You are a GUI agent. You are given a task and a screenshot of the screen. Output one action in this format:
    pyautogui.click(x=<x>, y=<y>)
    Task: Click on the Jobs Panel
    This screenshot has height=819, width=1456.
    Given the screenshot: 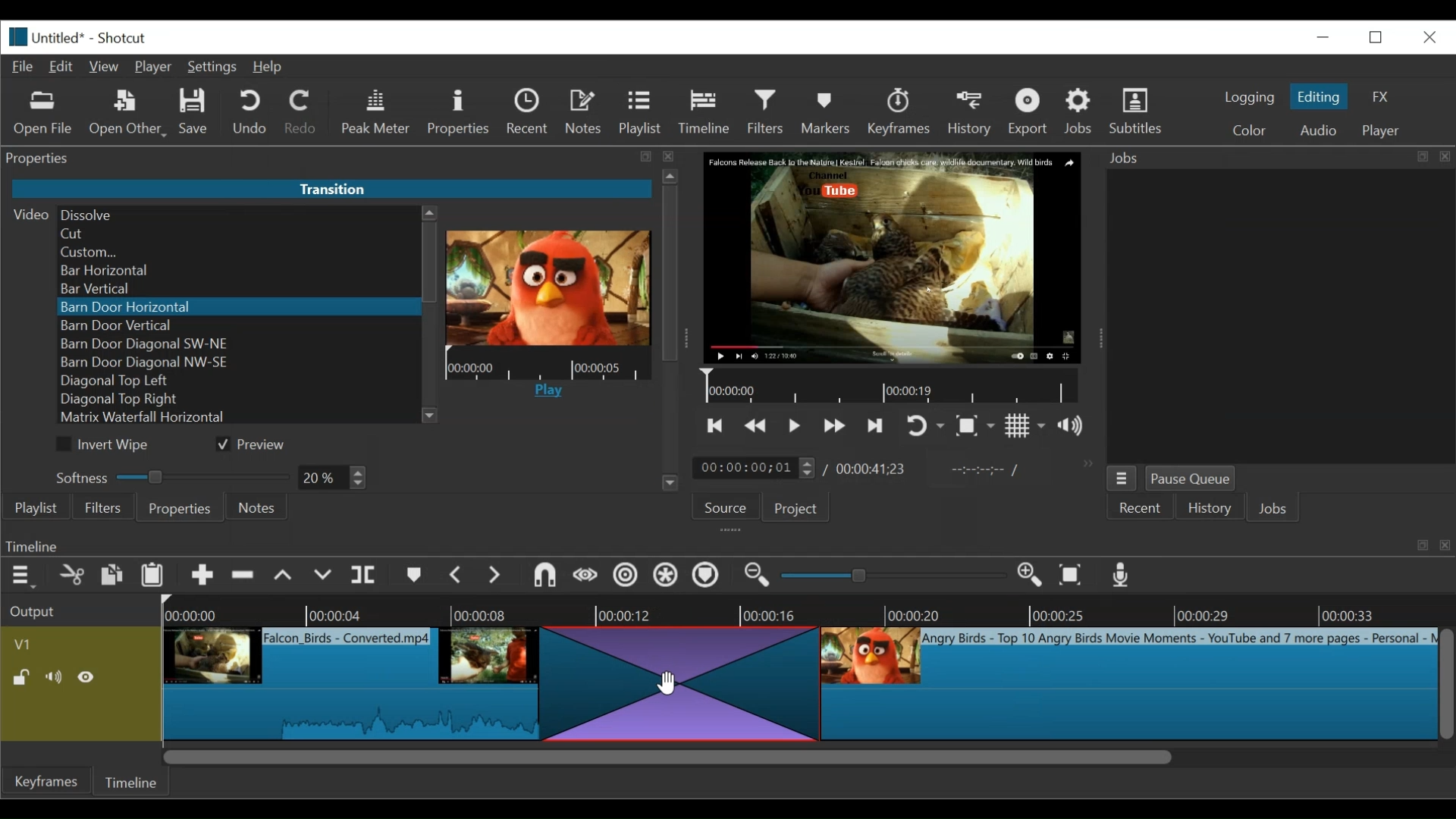 What is the action you would take?
    pyautogui.click(x=1277, y=158)
    